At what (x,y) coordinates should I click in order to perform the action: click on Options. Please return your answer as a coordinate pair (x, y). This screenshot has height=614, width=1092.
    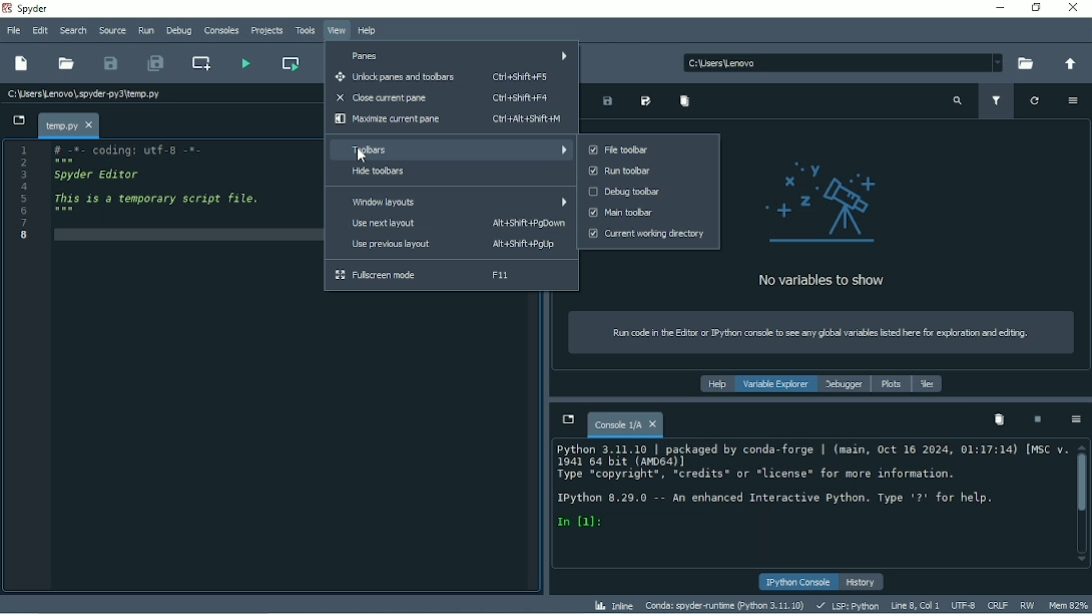
    Looking at the image, I should click on (1075, 420).